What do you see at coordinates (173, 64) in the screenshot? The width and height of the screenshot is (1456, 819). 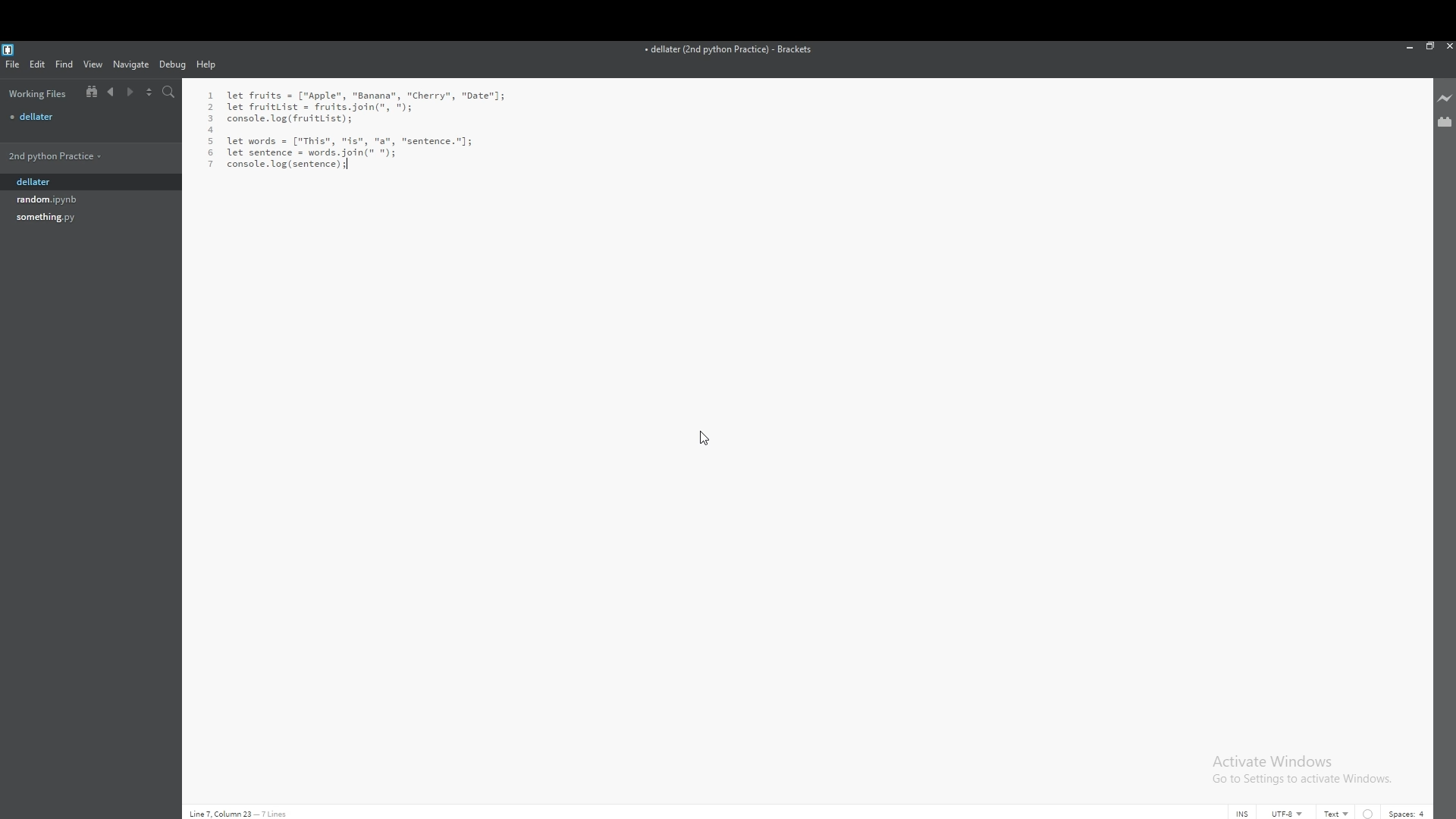 I see `debug` at bounding box center [173, 64].